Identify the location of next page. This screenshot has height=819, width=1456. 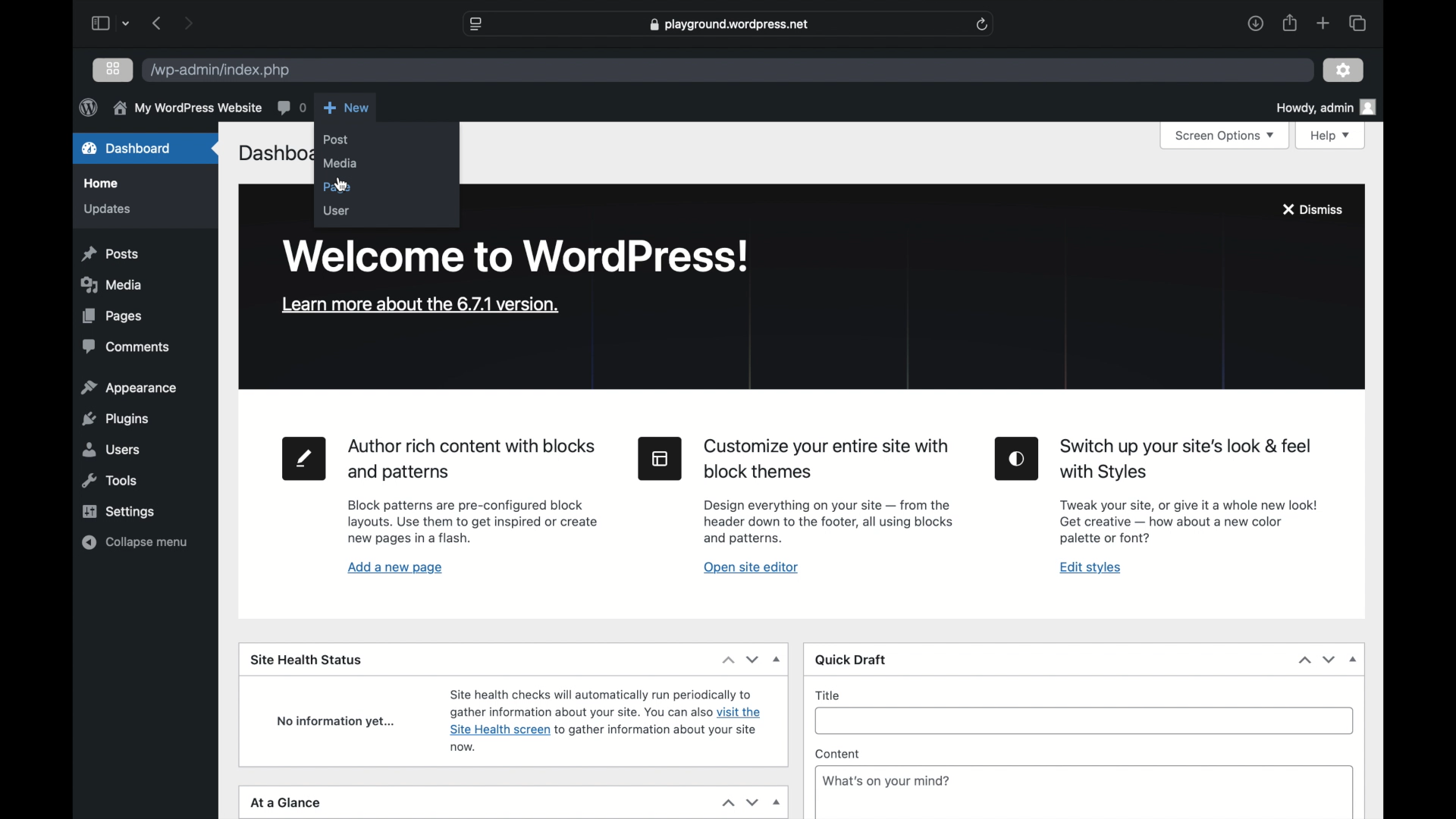
(188, 23).